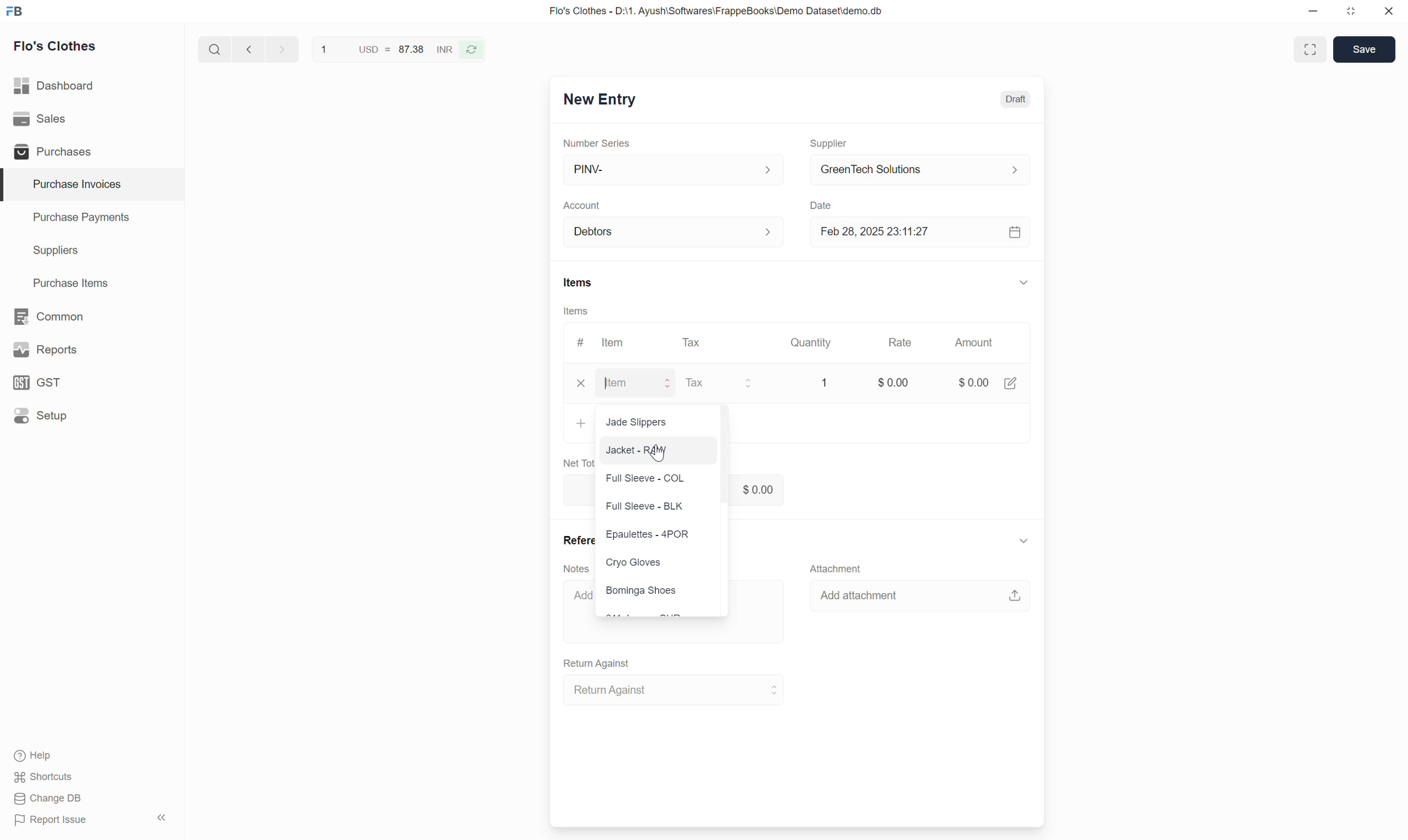  I want to click on 1, so click(810, 383).